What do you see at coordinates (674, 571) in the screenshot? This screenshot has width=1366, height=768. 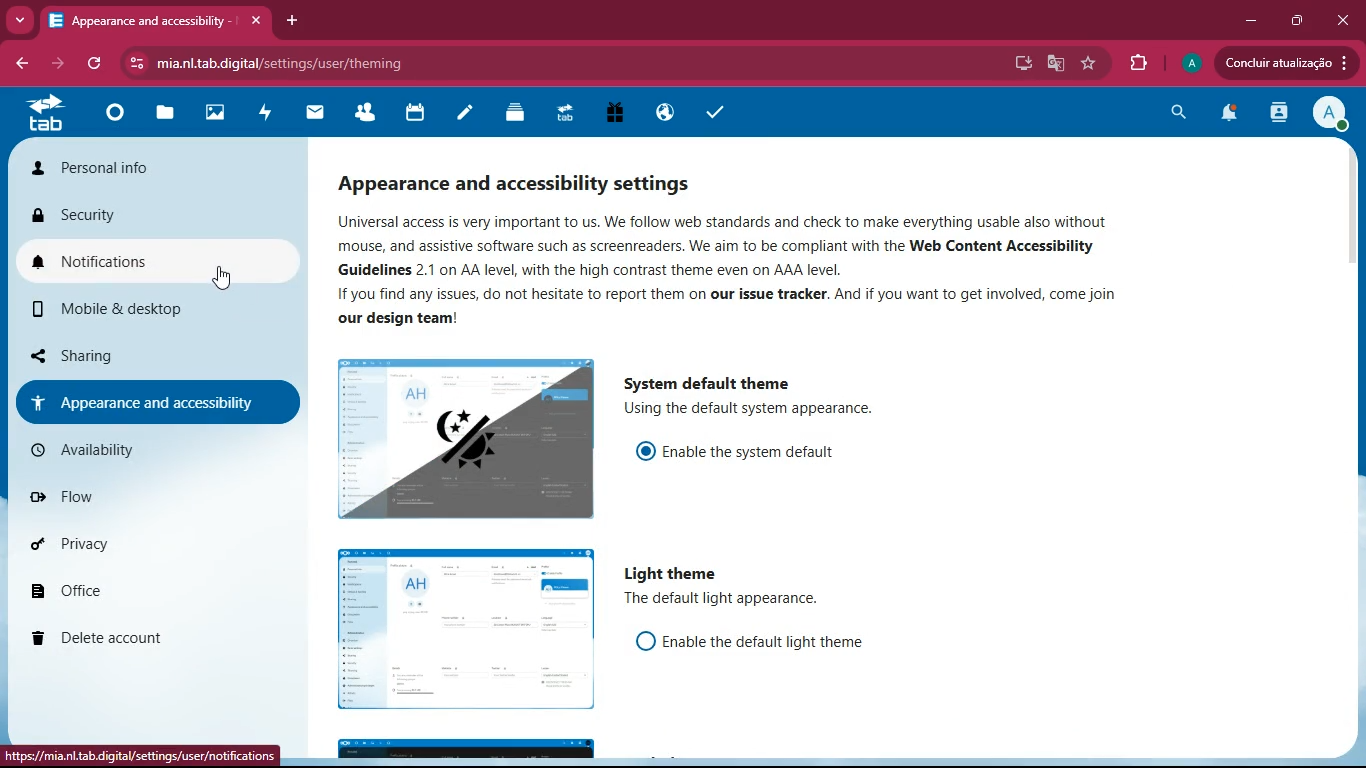 I see `light theme` at bounding box center [674, 571].